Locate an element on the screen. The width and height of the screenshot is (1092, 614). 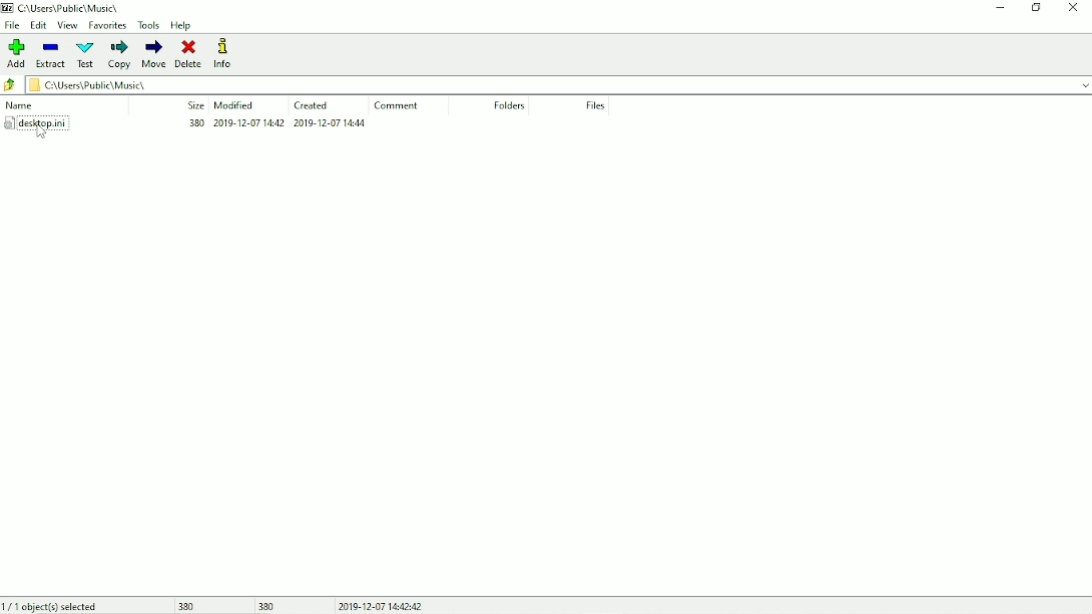
1/1 object(s) selected is located at coordinates (52, 606).